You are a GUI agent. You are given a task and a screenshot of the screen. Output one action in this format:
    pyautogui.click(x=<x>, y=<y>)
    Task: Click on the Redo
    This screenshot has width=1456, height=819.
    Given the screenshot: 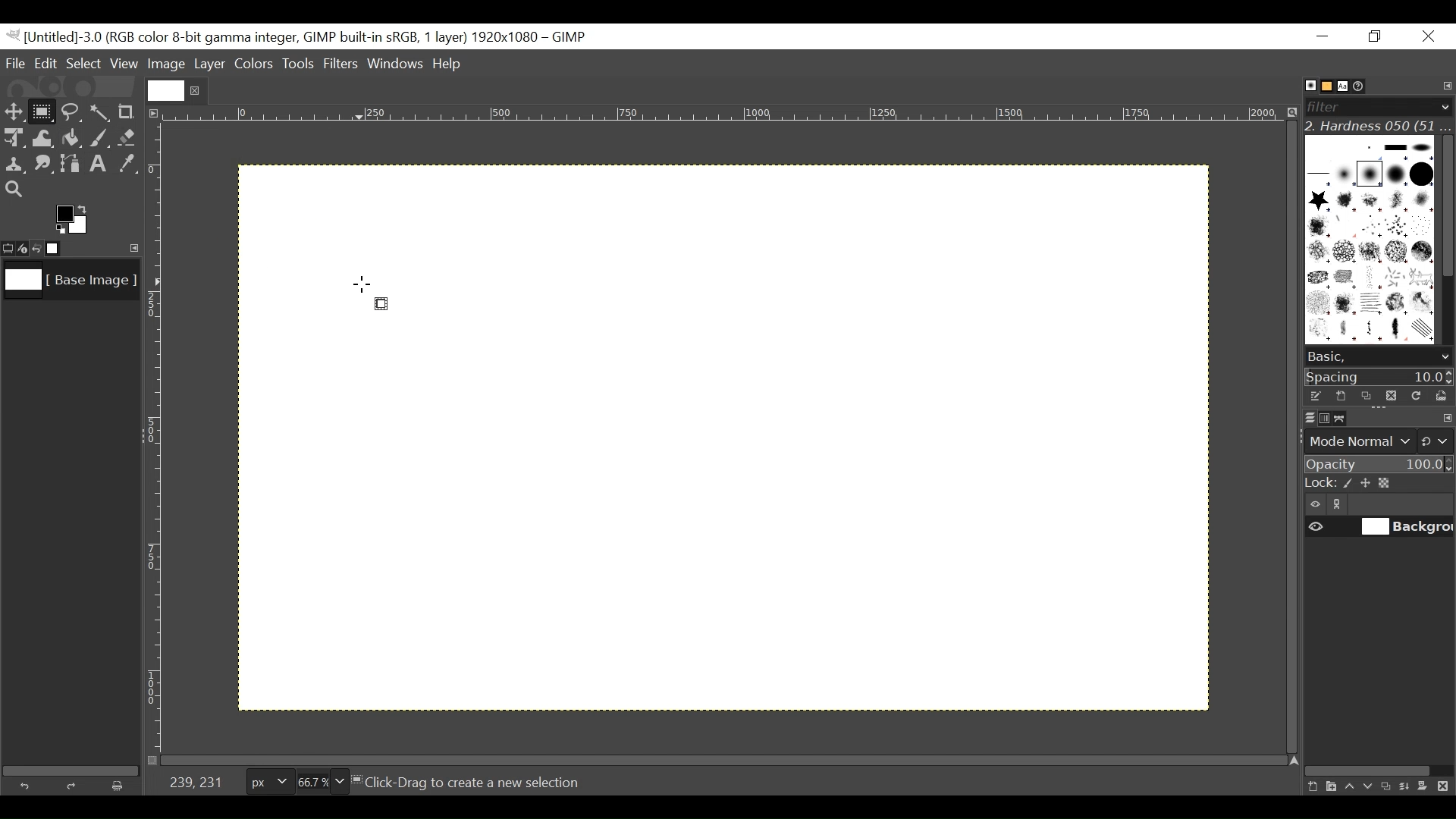 What is the action you would take?
    pyautogui.click(x=74, y=786)
    